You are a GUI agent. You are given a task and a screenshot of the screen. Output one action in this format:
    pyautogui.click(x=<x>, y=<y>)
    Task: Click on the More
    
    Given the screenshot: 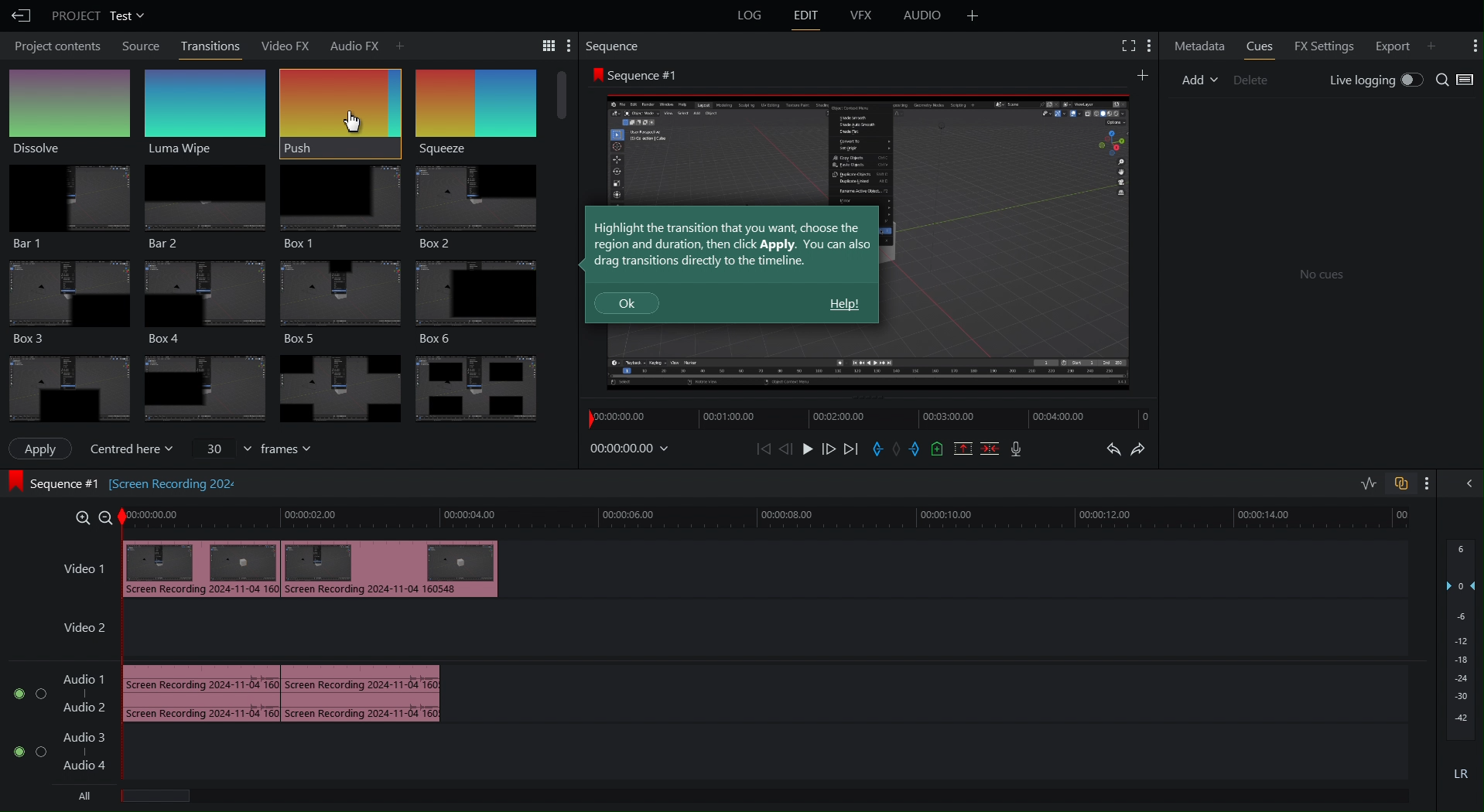 What is the action you would take?
    pyautogui.click(x=1143, y=73)
    